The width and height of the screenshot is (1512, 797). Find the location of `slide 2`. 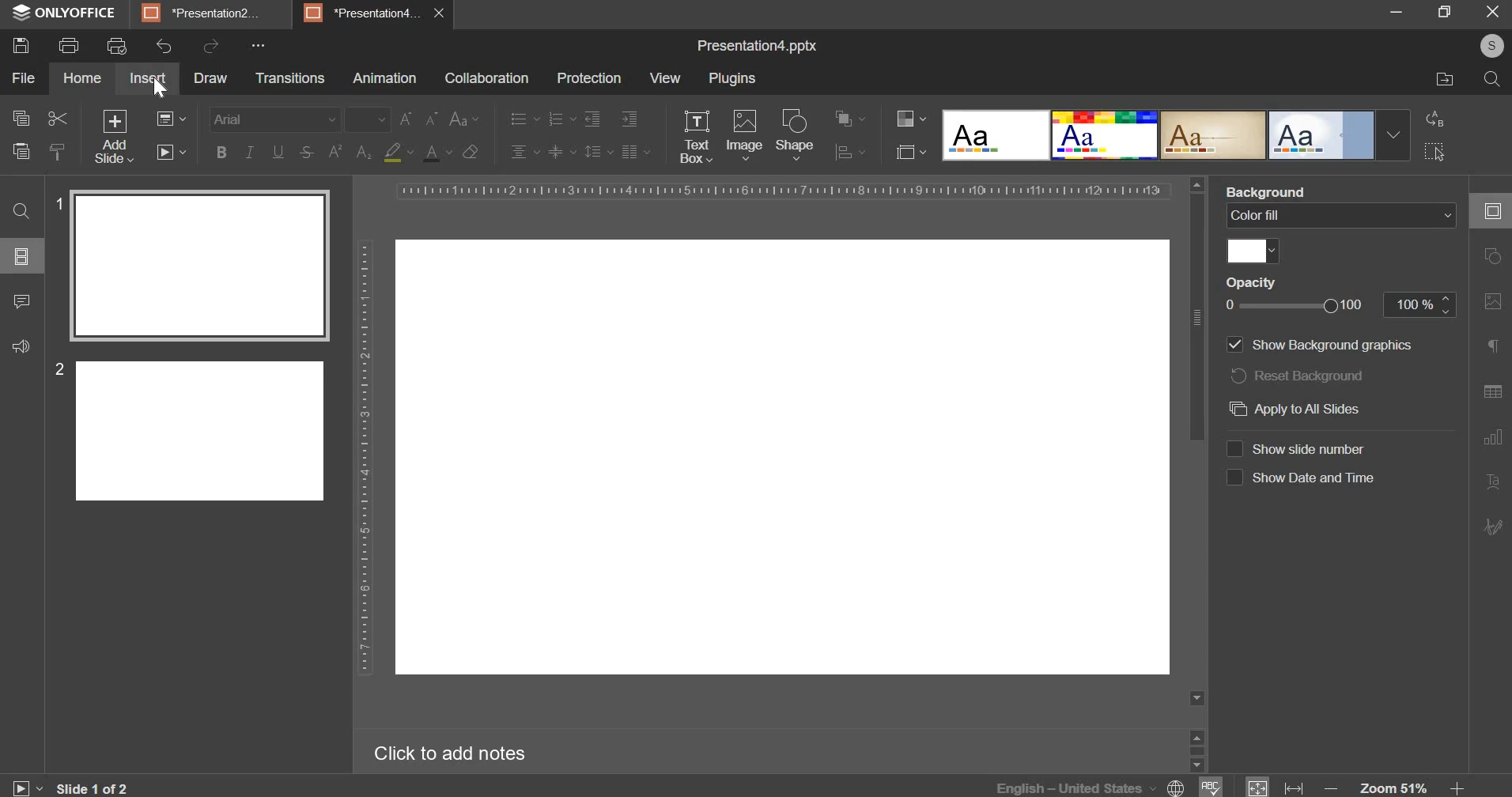

slide 2 is located at coordinates (187, 428).